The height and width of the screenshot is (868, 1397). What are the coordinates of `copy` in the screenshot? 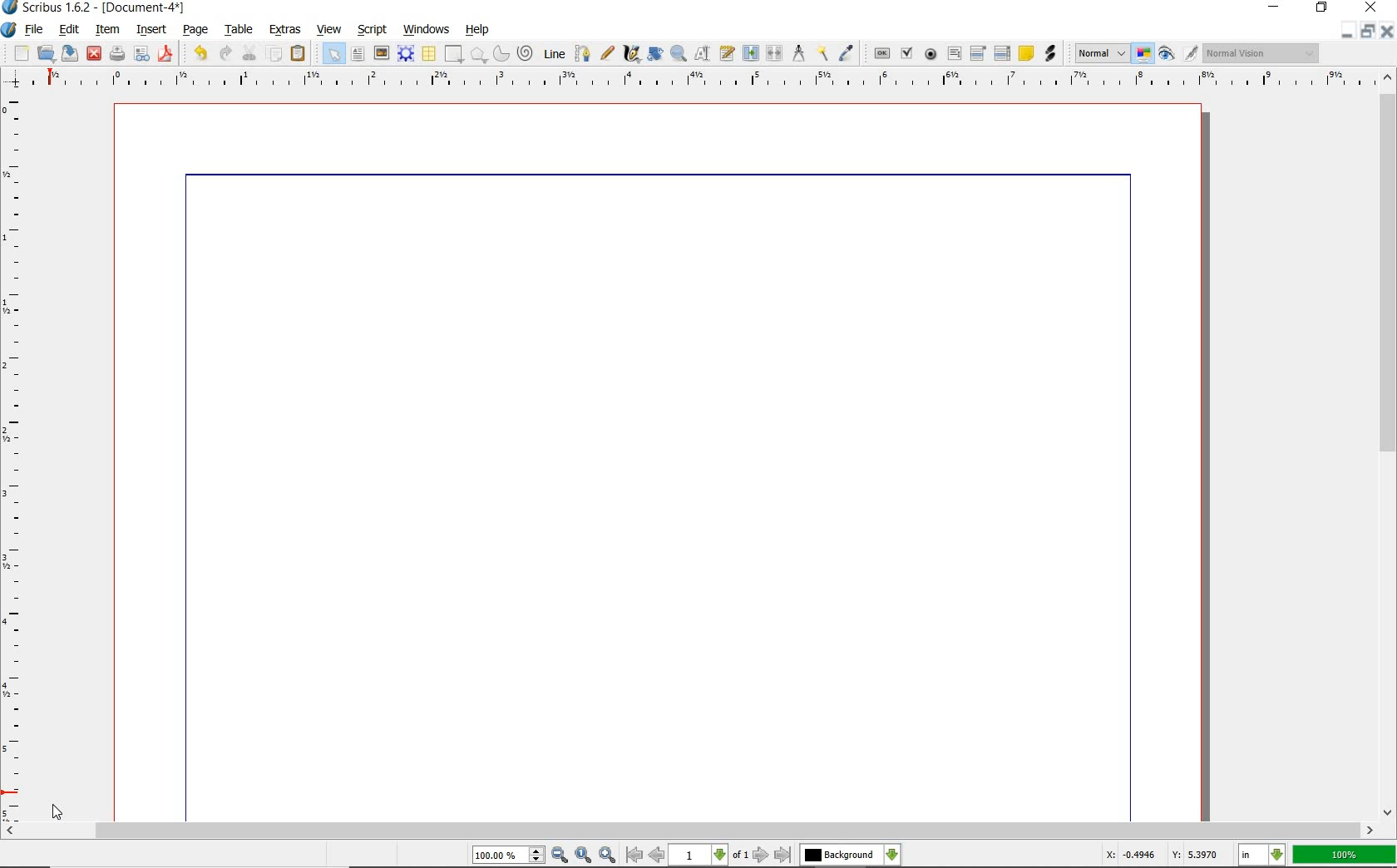 It's located at (274, 52).